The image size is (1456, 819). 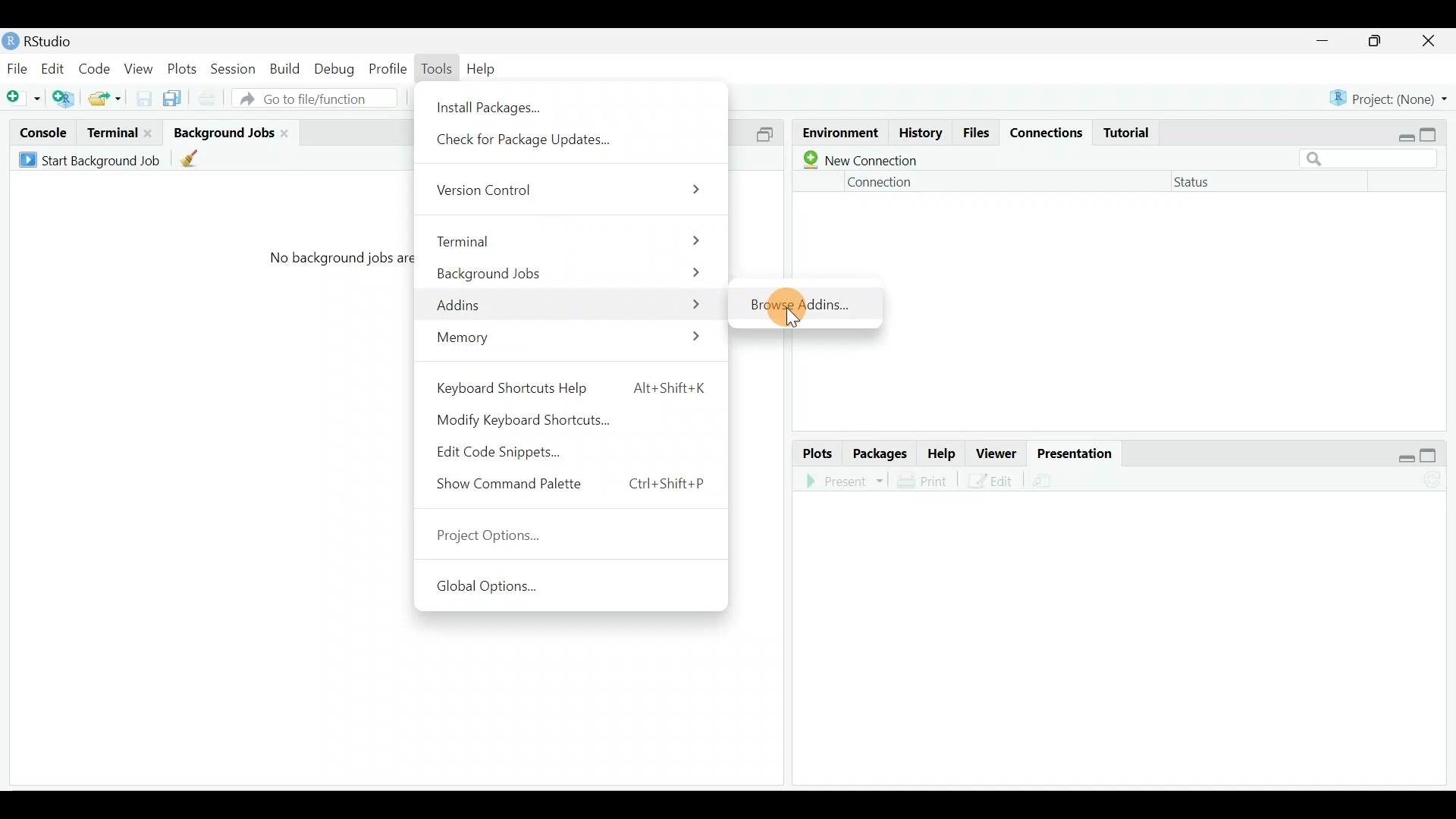 I want to click on Close background jobs, so click(x=291, y=132).